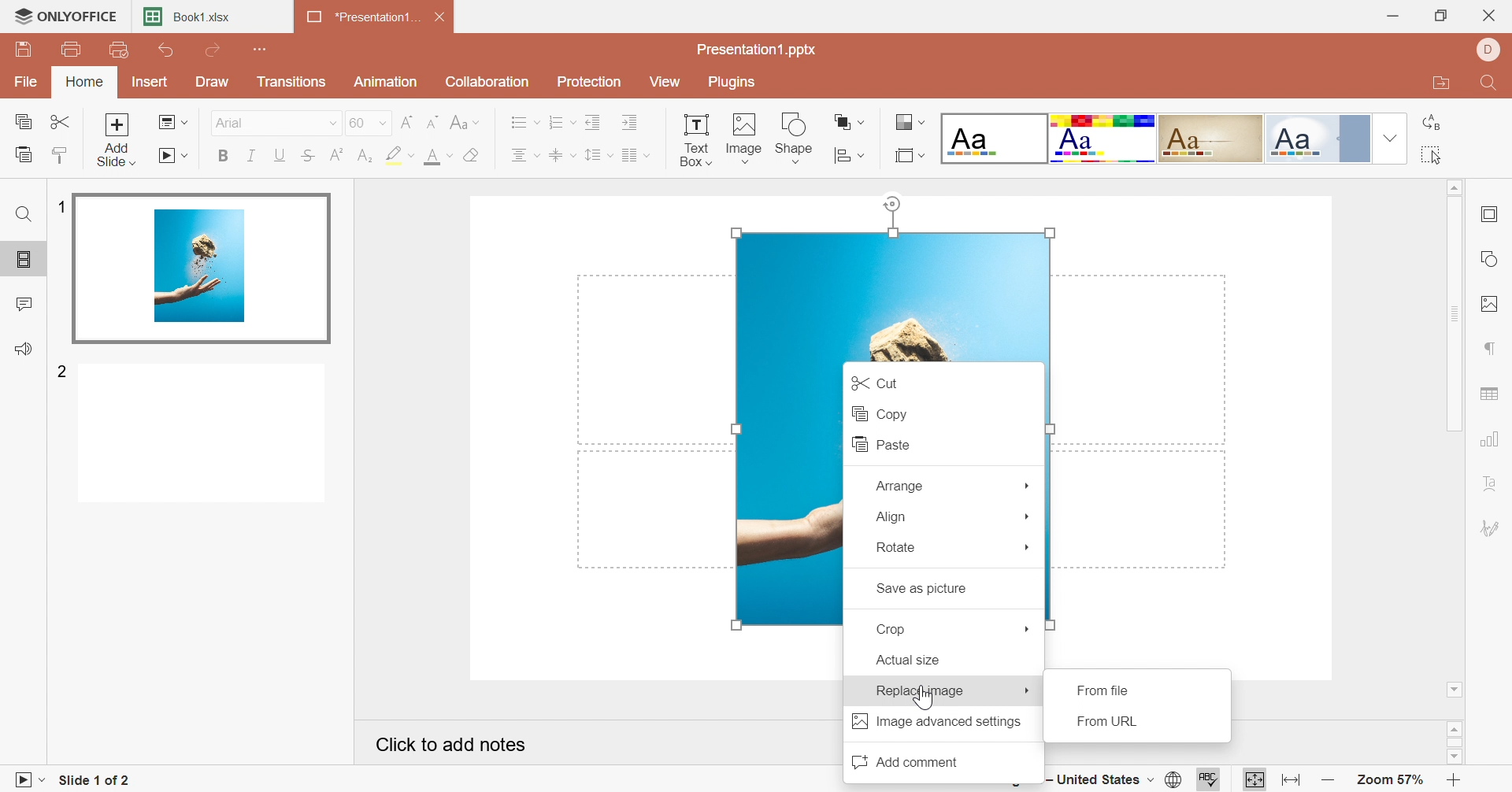 The height and width of the screenshot is (792, 1512). What do you see at coordinates (896, 547) in the screenshot?
I see `Rotate` at bounding box center [896, 547].